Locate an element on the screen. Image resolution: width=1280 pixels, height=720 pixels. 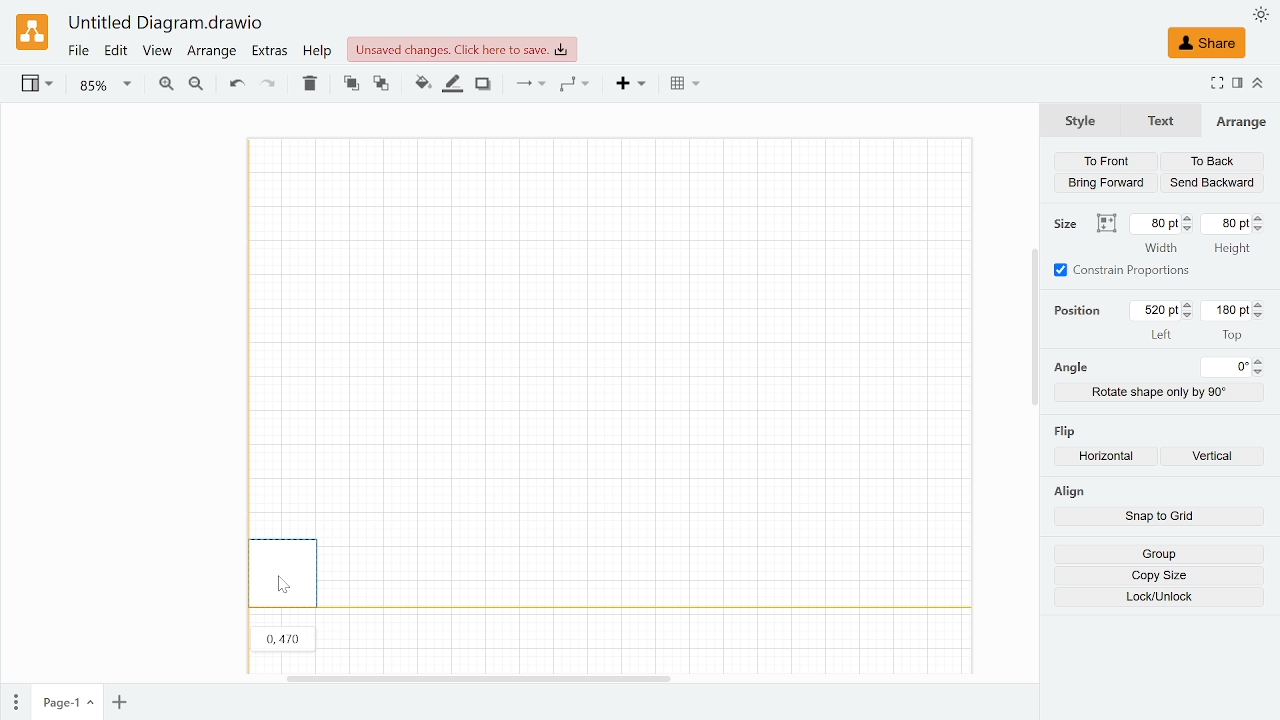
Connections is located at coordinates (528, 84).